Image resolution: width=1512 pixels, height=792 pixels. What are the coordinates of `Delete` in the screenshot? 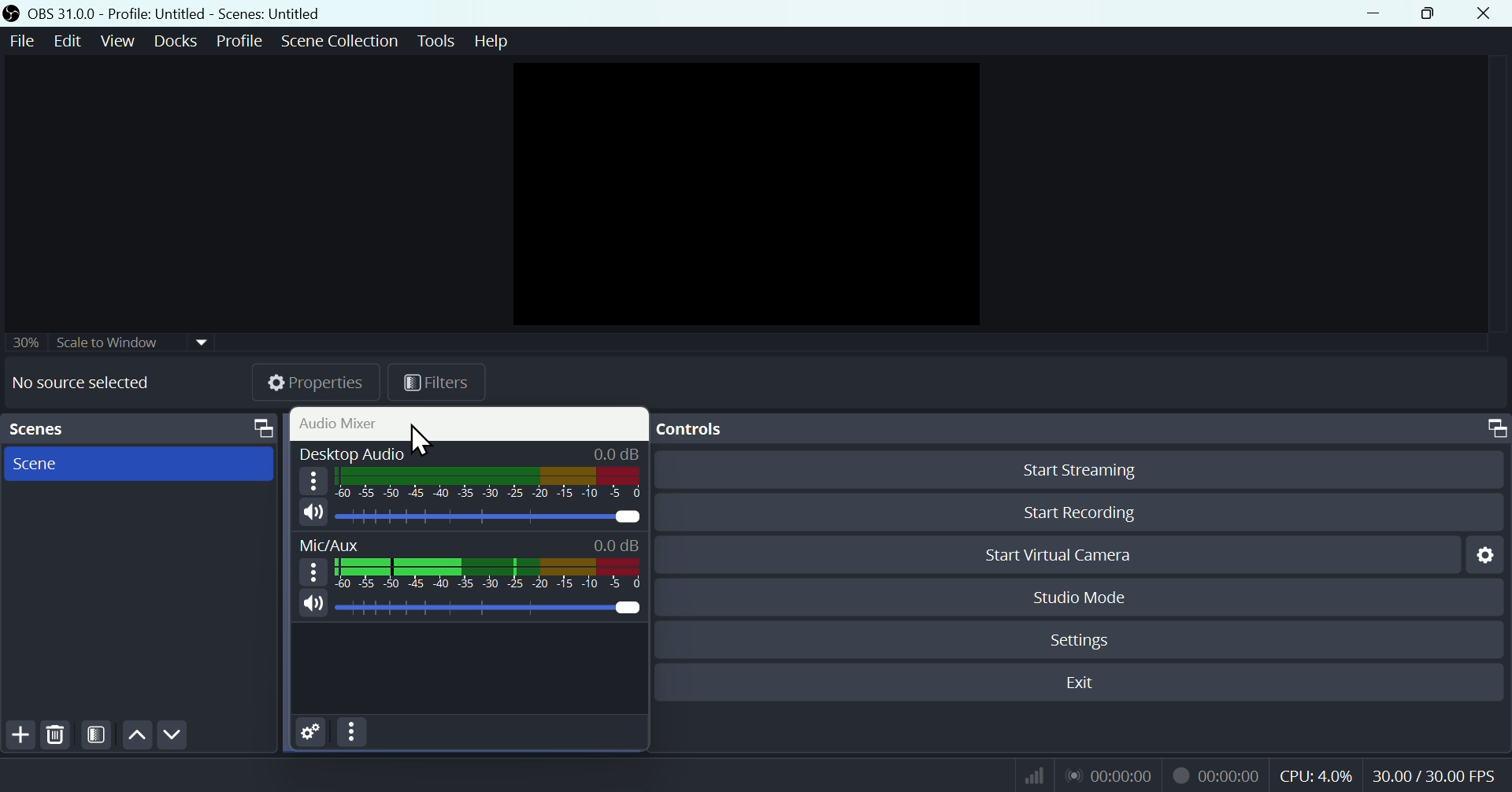 It's located at (55, 734).